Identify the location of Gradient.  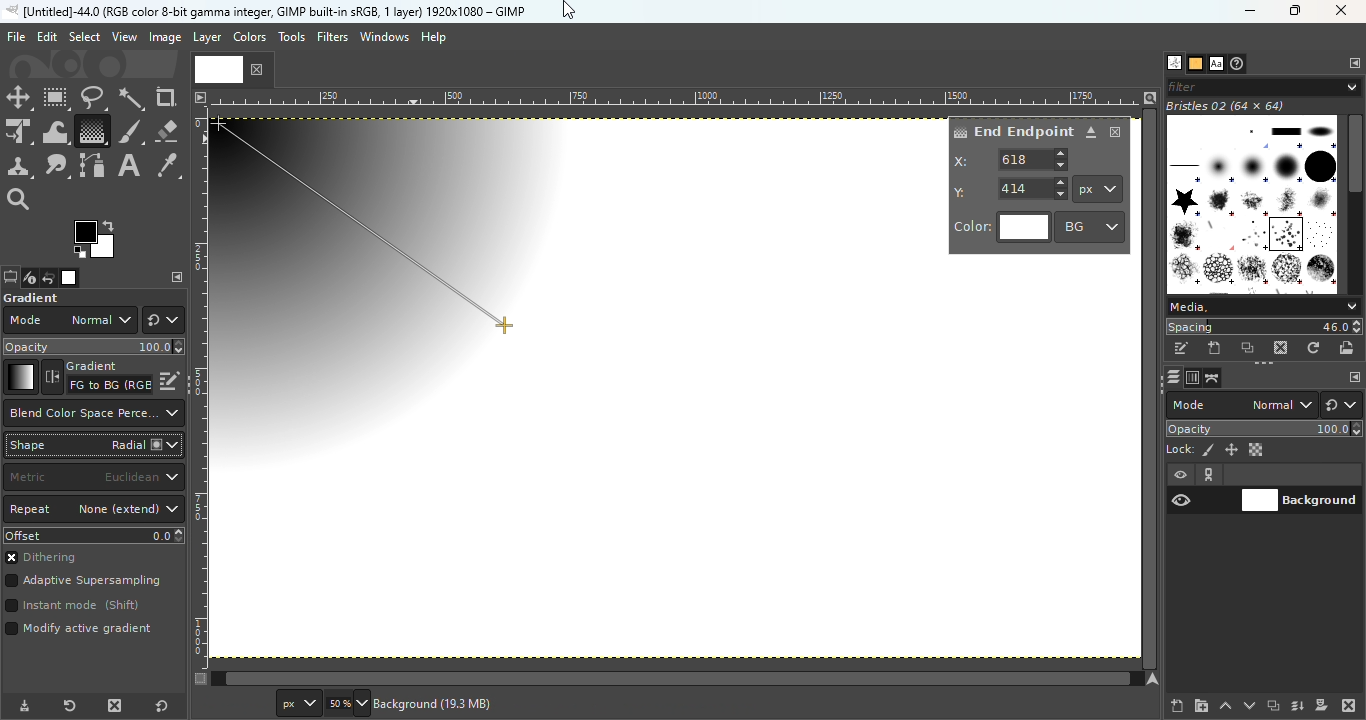
(20, 377).